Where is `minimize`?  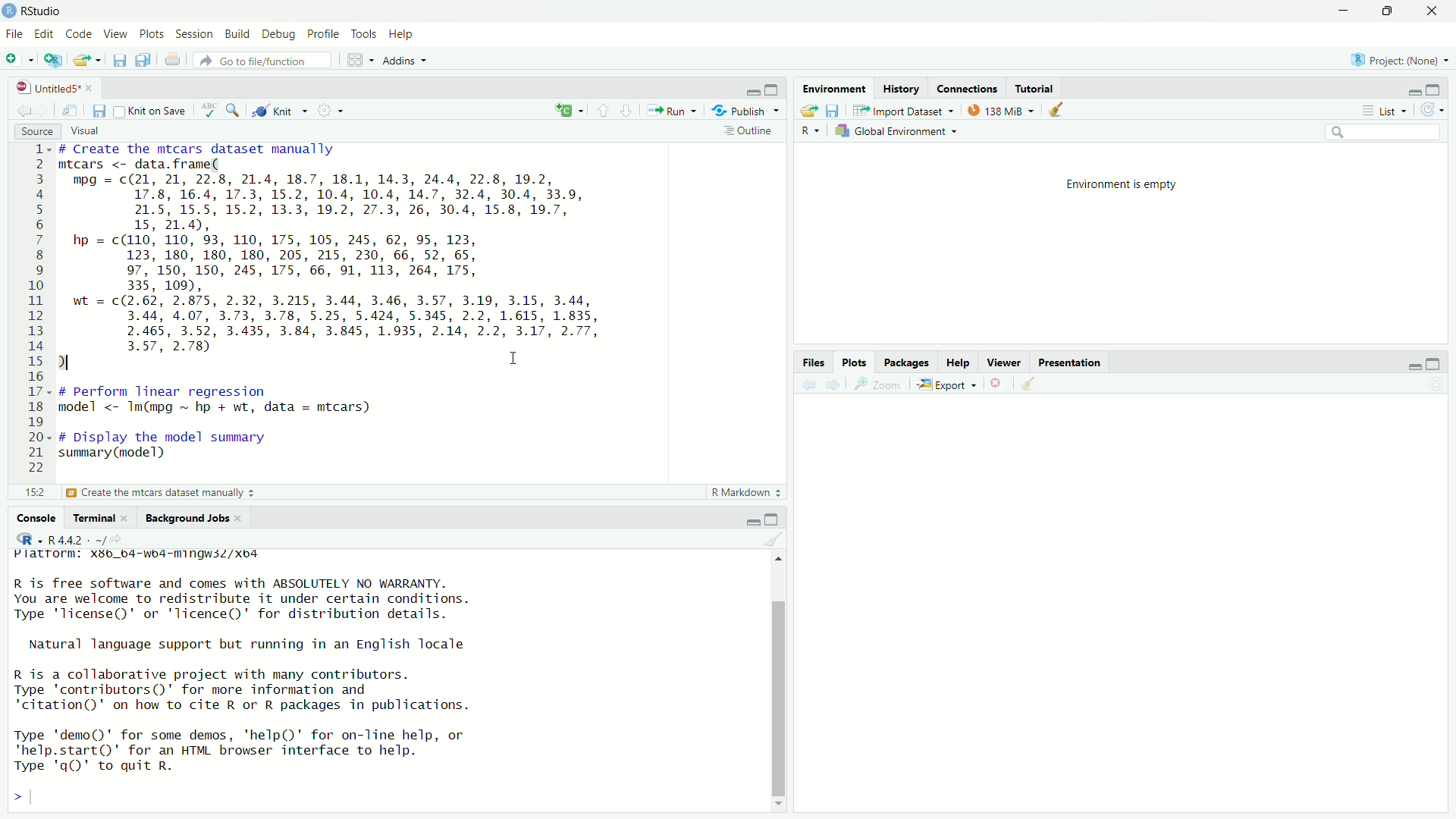
minimize is located at coordinates (1411, 366).